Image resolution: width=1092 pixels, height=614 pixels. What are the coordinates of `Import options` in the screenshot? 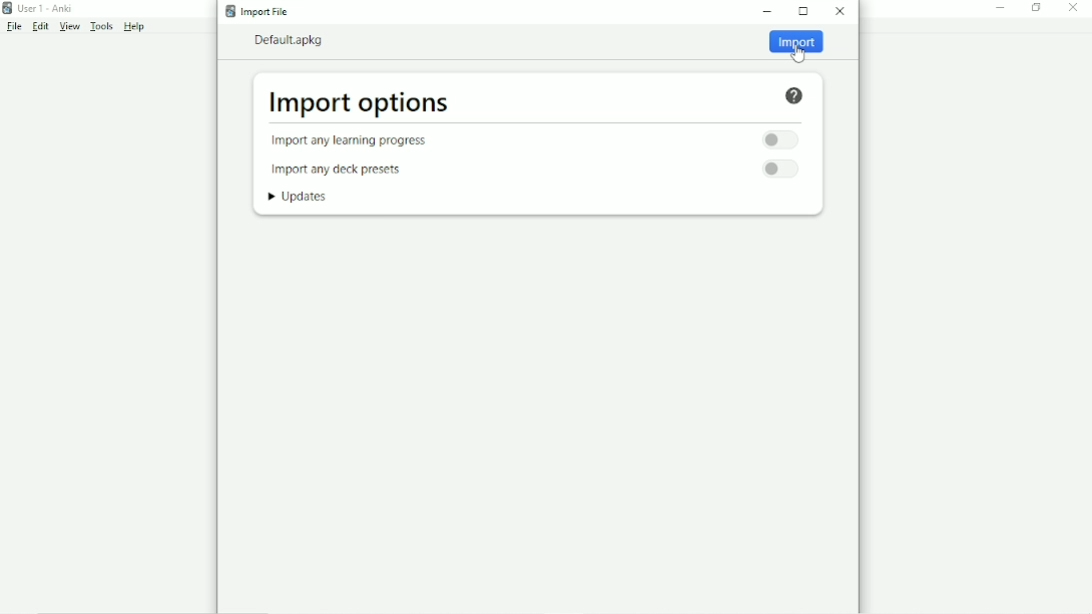 It's located at (359, 103).